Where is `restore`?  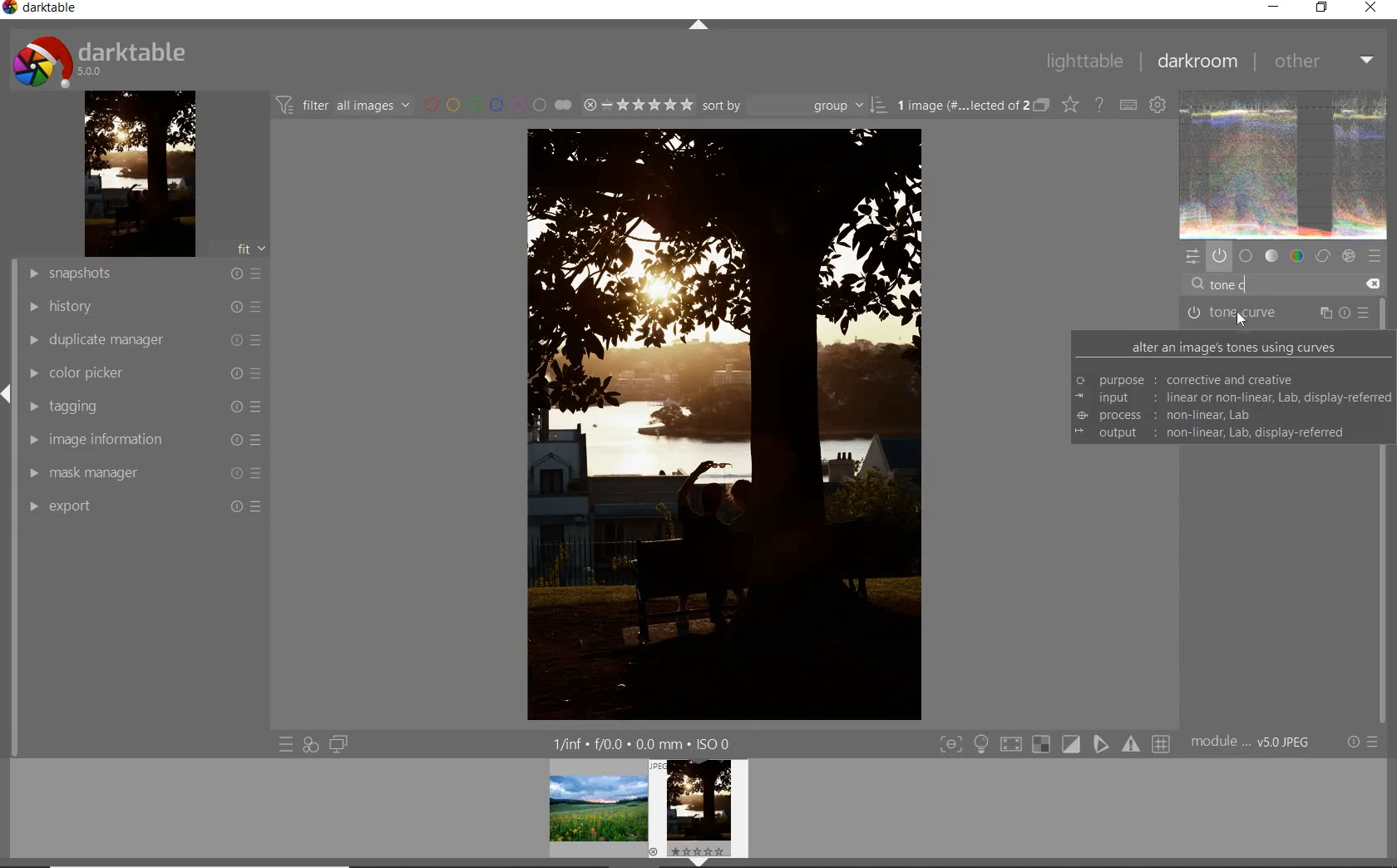
restore is located at coordinates (1324, 8).